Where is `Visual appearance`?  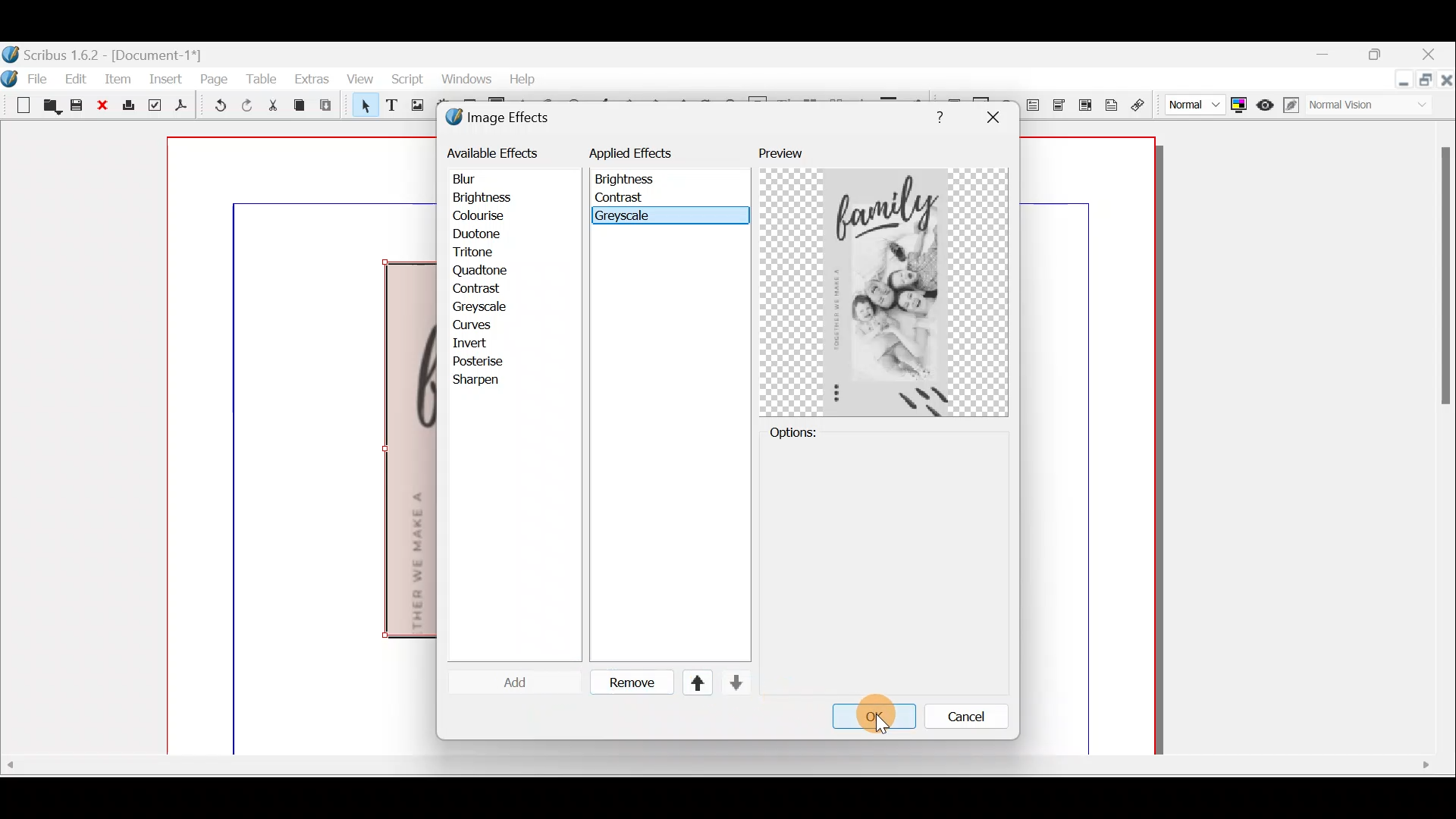 Visual appearance is located at coordinates (1355, 106).